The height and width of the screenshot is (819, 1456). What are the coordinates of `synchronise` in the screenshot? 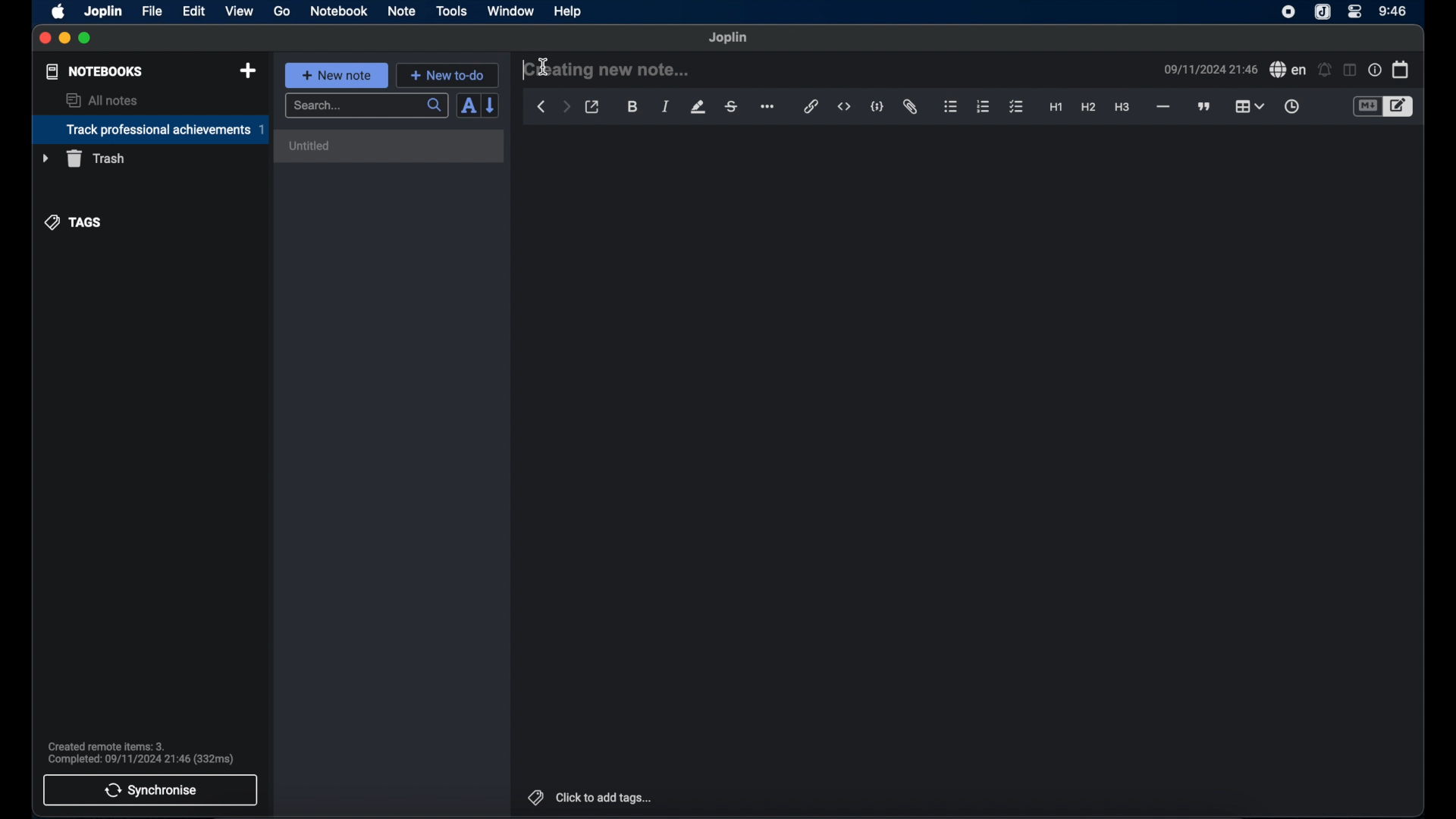 It's located at (151, 790).